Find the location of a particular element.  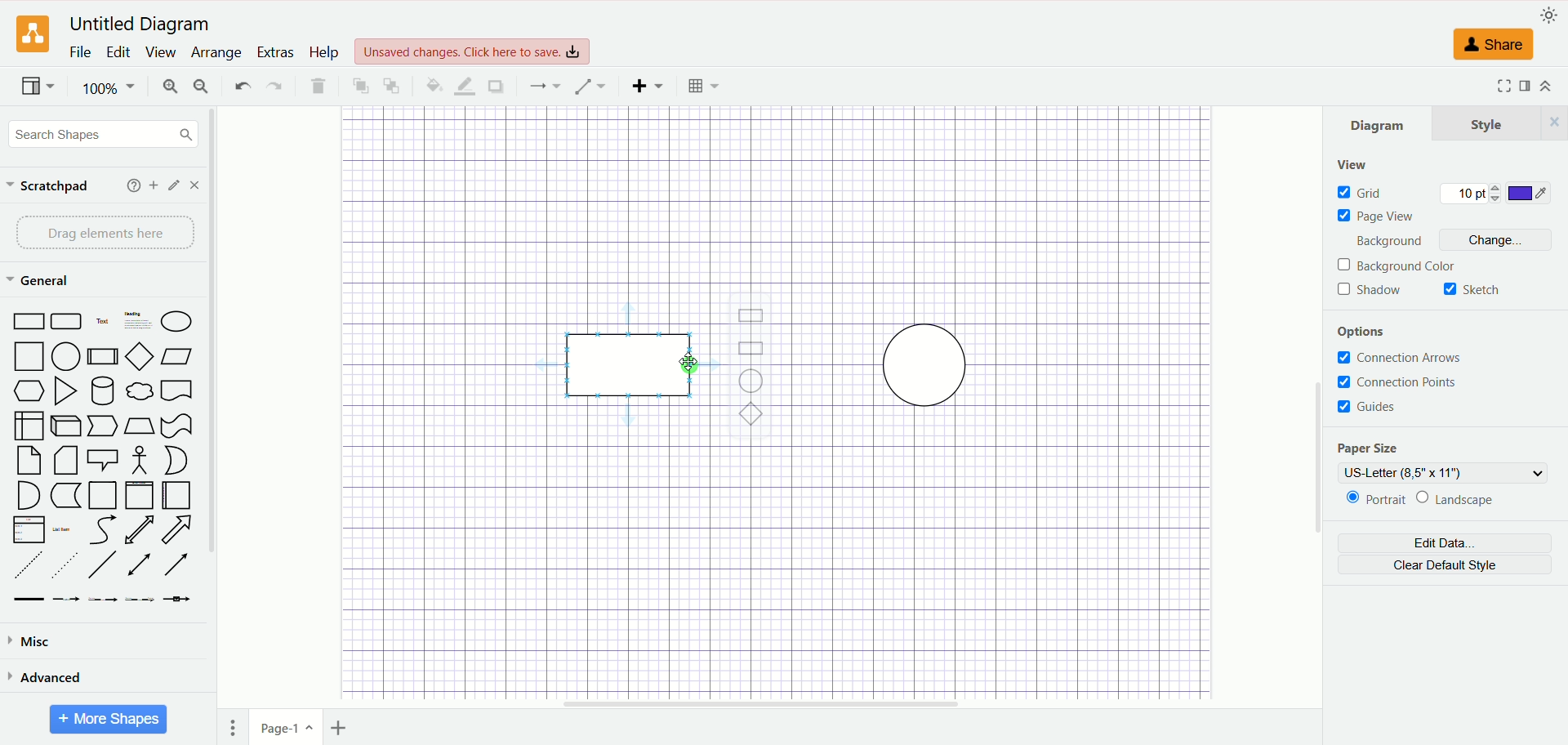

Circle Segment is located at coordinates (176, 461).